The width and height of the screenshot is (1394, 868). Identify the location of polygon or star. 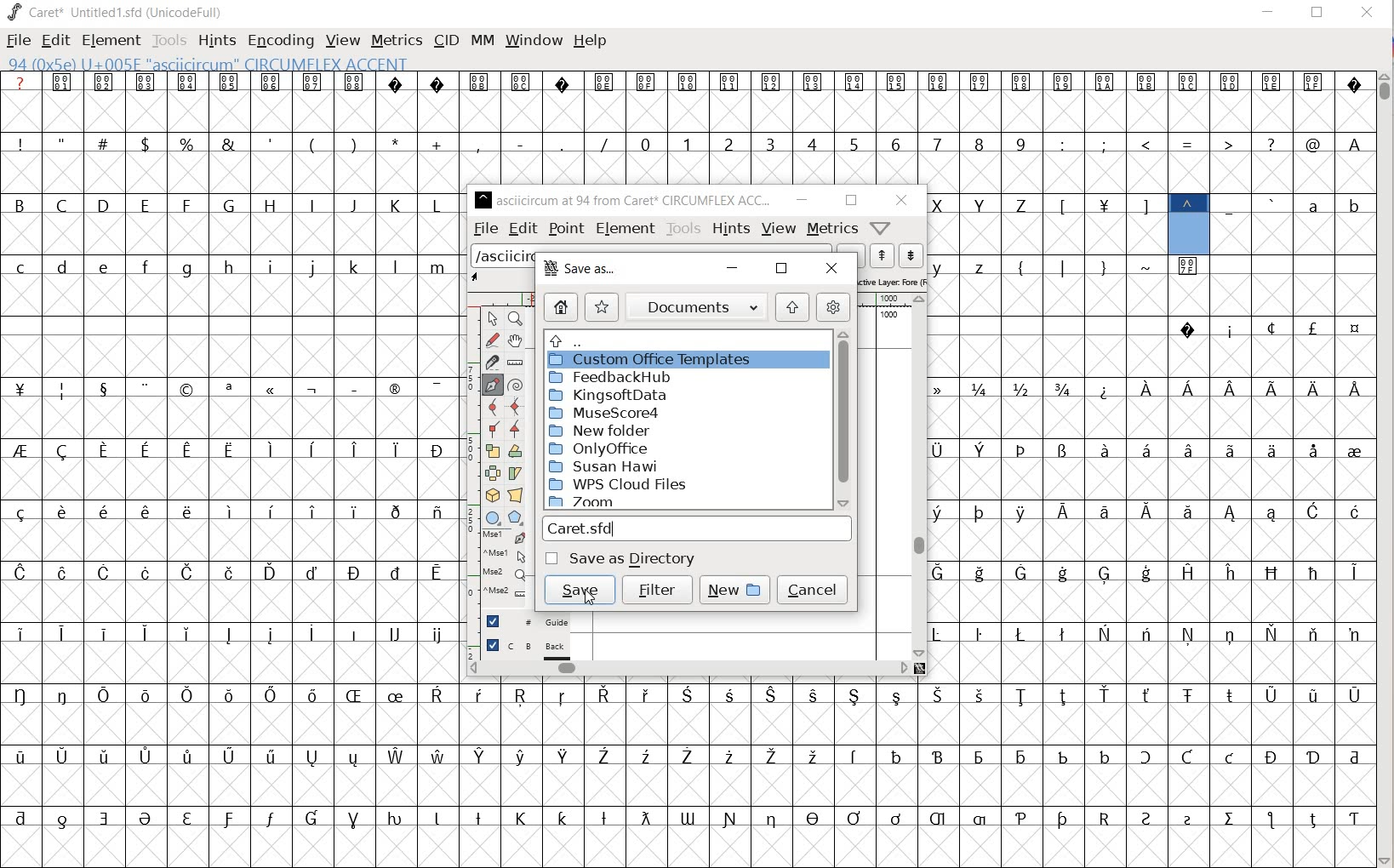
(515, 517).